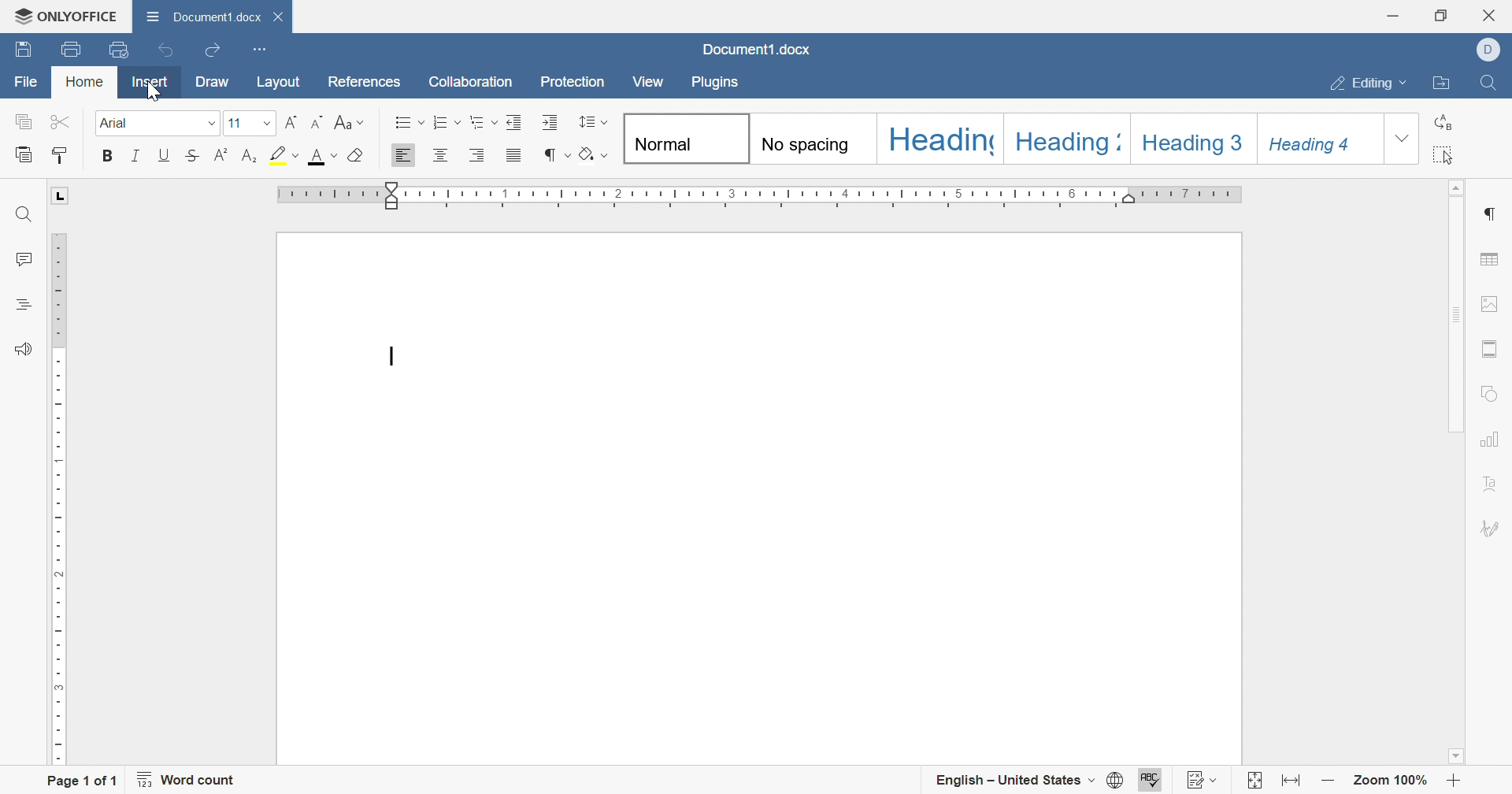  What do you see at coordinates (21, 49) in the screenshot?
I see `Save` at bounding box center [21, 49].